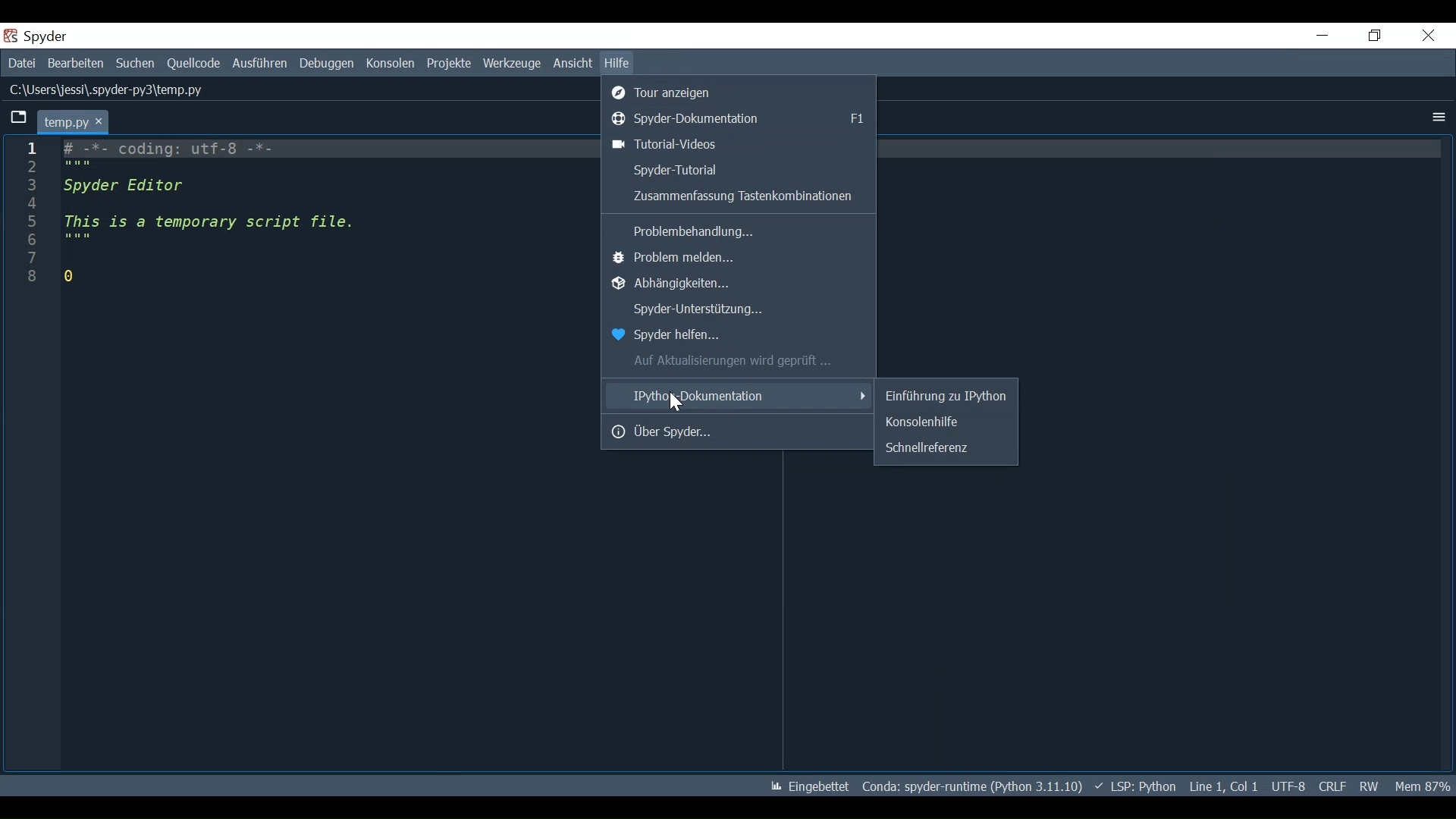 This screenshot has height=819, width=1456. What do you see at coordinates (739, 284) in the screenshot?
I see `Dependencies` at bounding box center [739, 284].